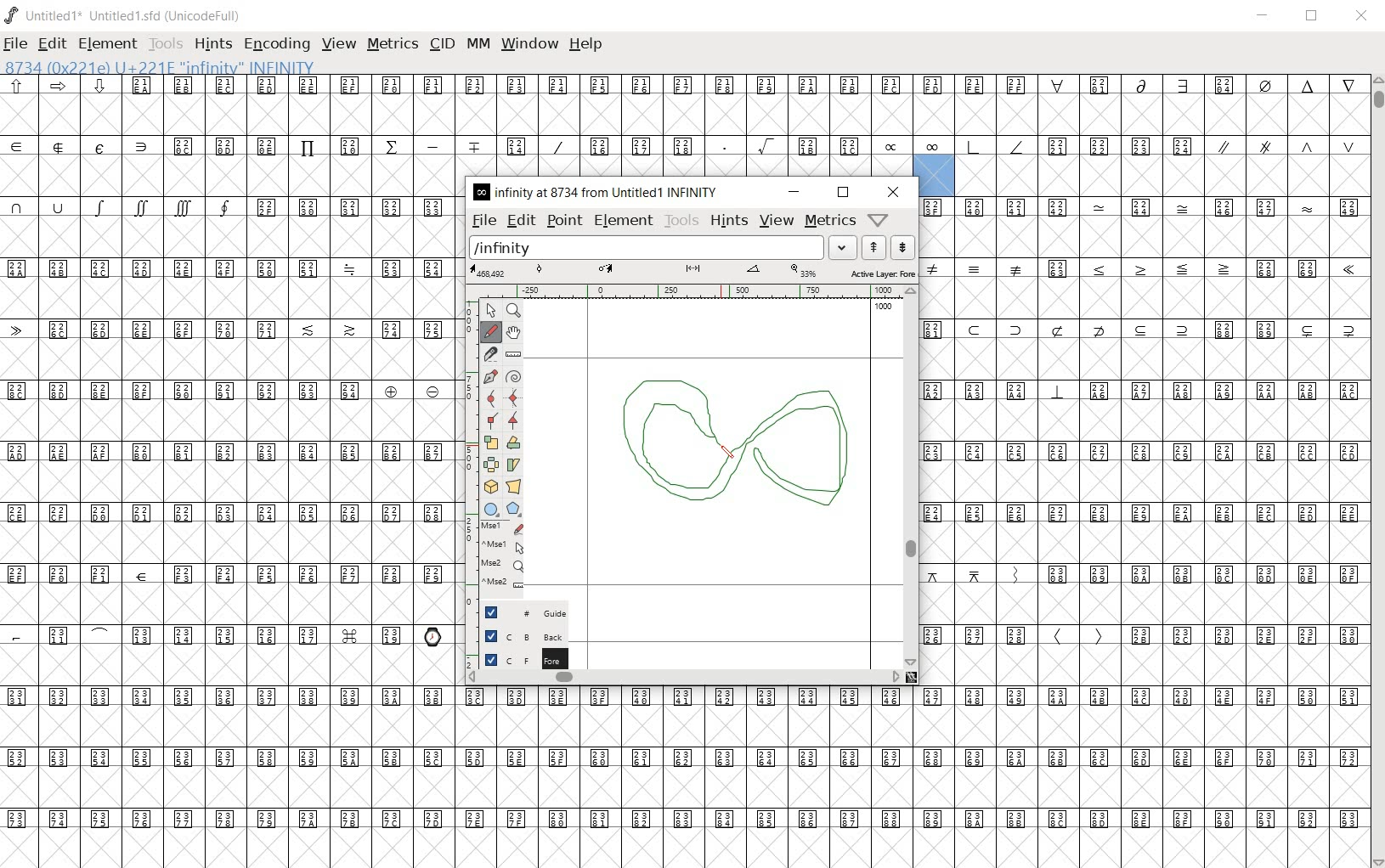  I want to click on skew the selection, so click(513, 465).